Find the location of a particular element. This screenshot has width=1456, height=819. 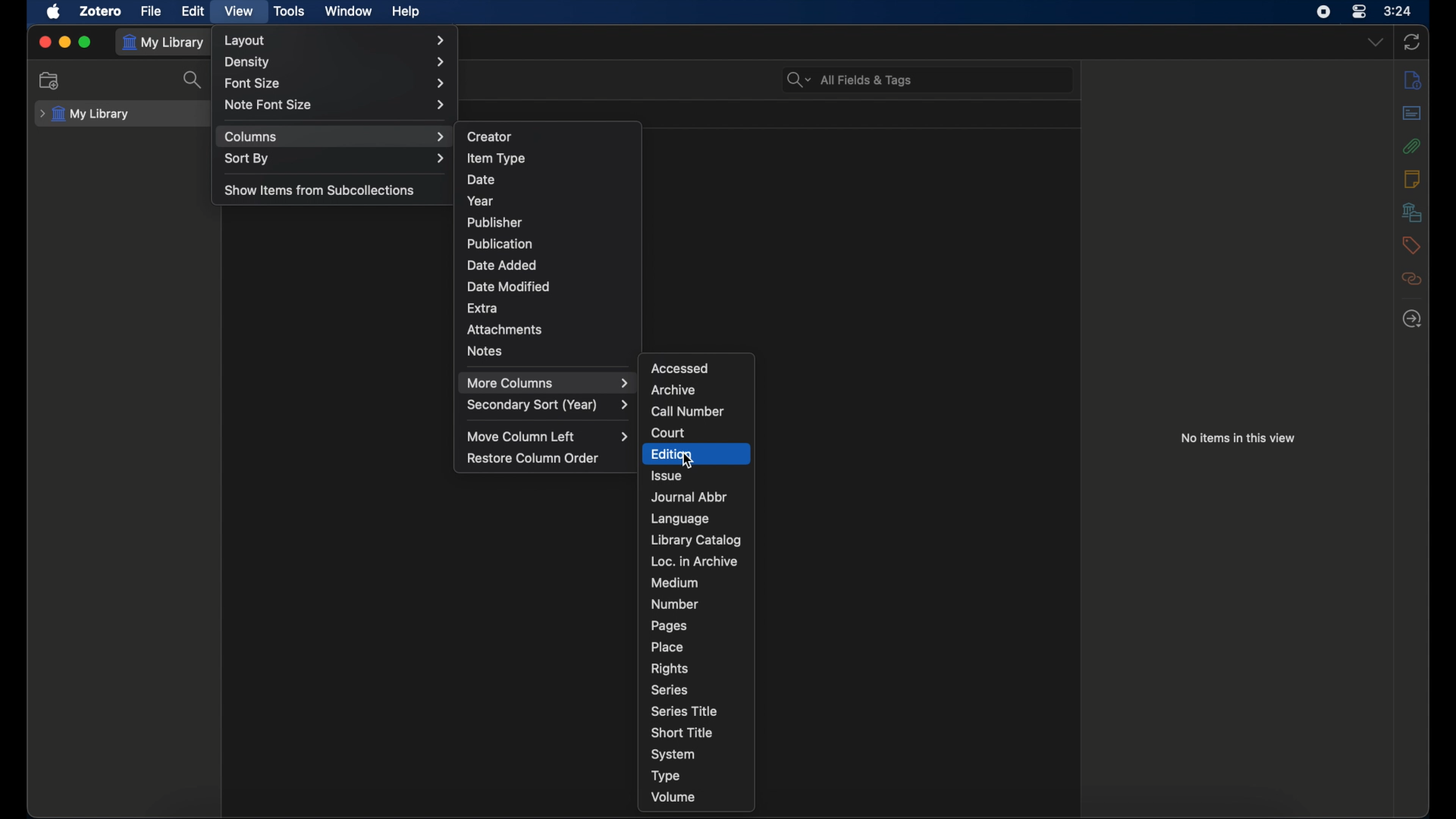

my library is located at coordinates (85, 115).